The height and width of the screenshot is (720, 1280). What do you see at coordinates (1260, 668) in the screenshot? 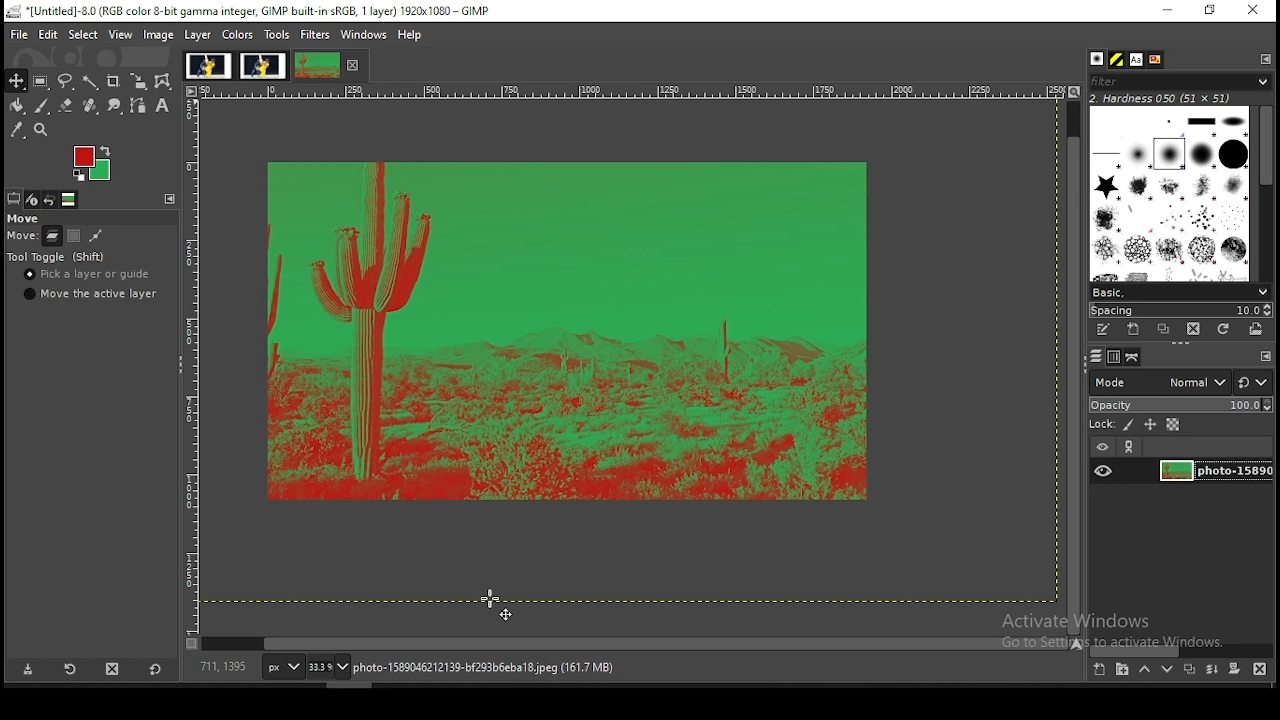
I see `delete this layer` at bounding box center [1260, 668].